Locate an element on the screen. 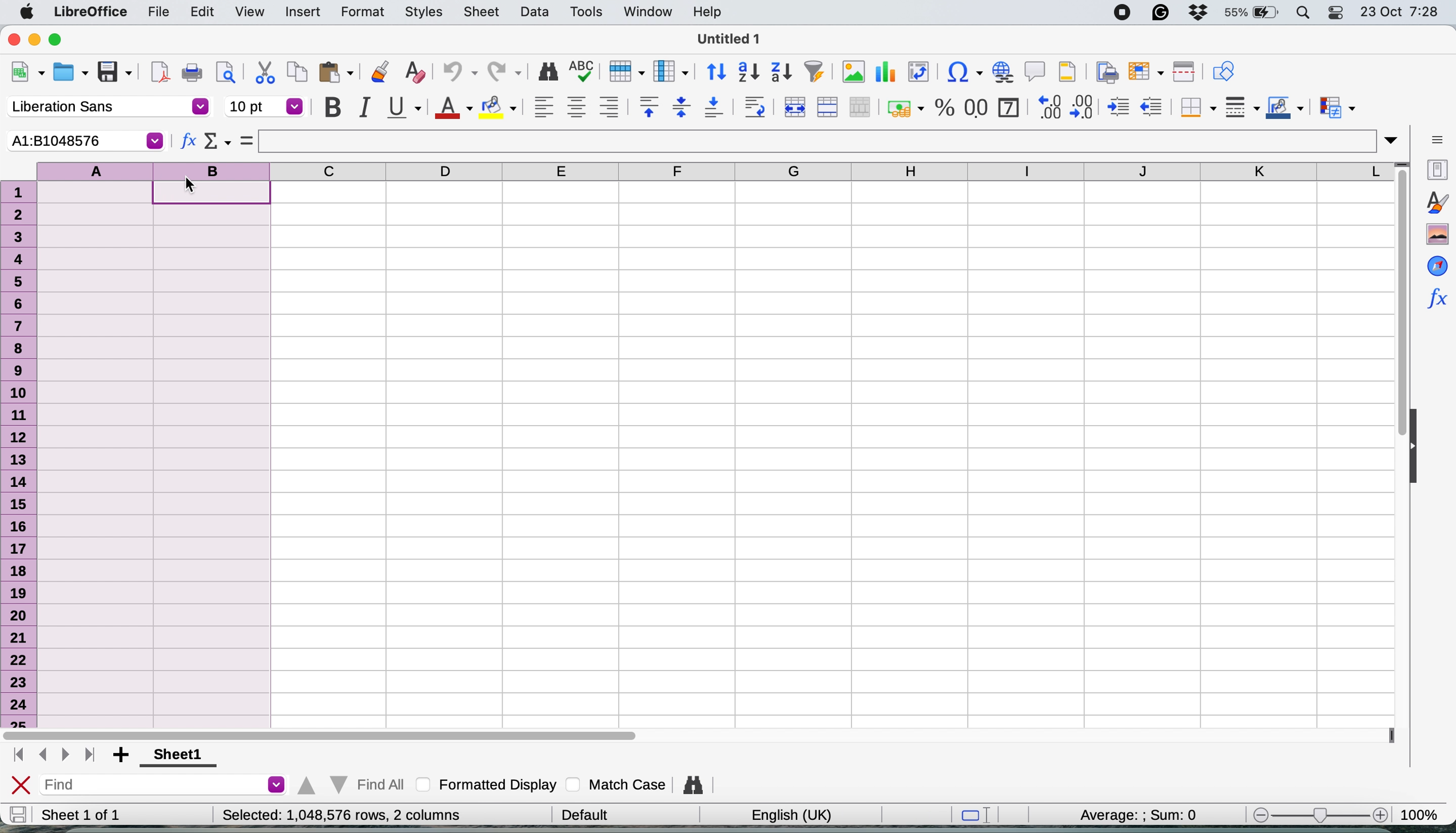 This screenshot has width=1456, height=833. wrap text is located at coordinates (758, 107).